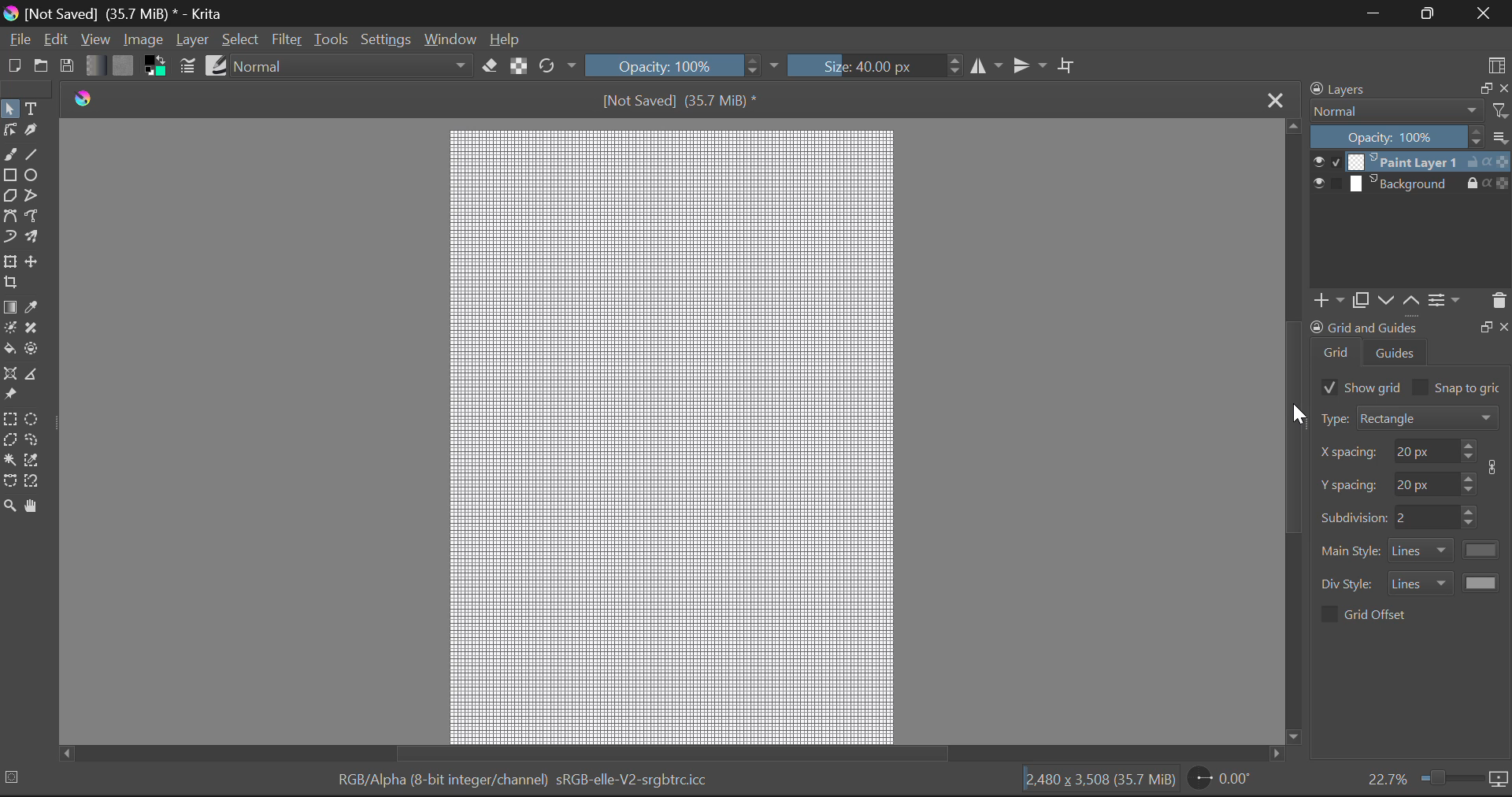 The height and width of the screenshot is (797, 1512). Describe the element at coordinates (519, 65) in the screenshot. I see `Lock Alpha` at that location.